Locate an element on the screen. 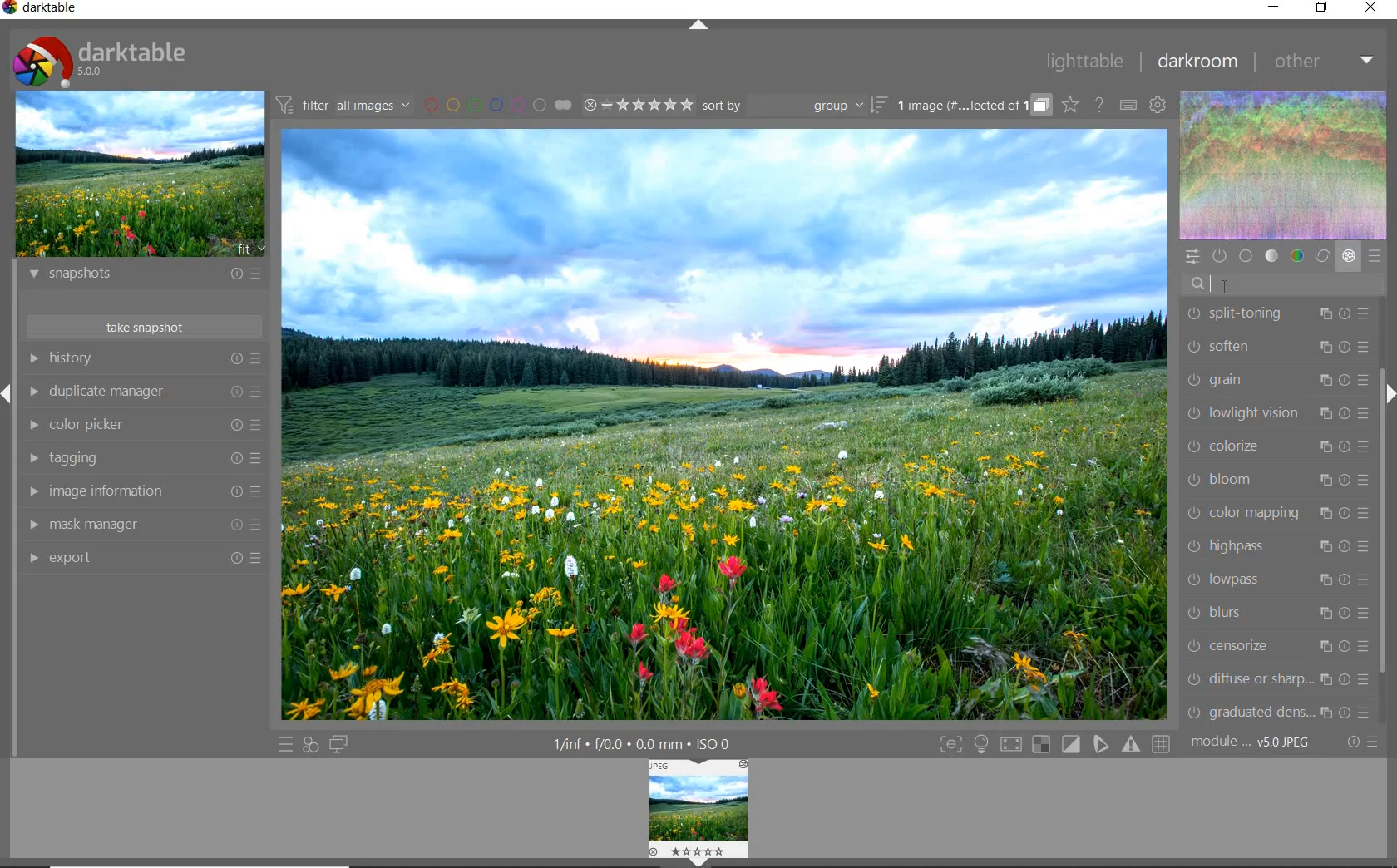  image preview is located at coordinates (140, 176).